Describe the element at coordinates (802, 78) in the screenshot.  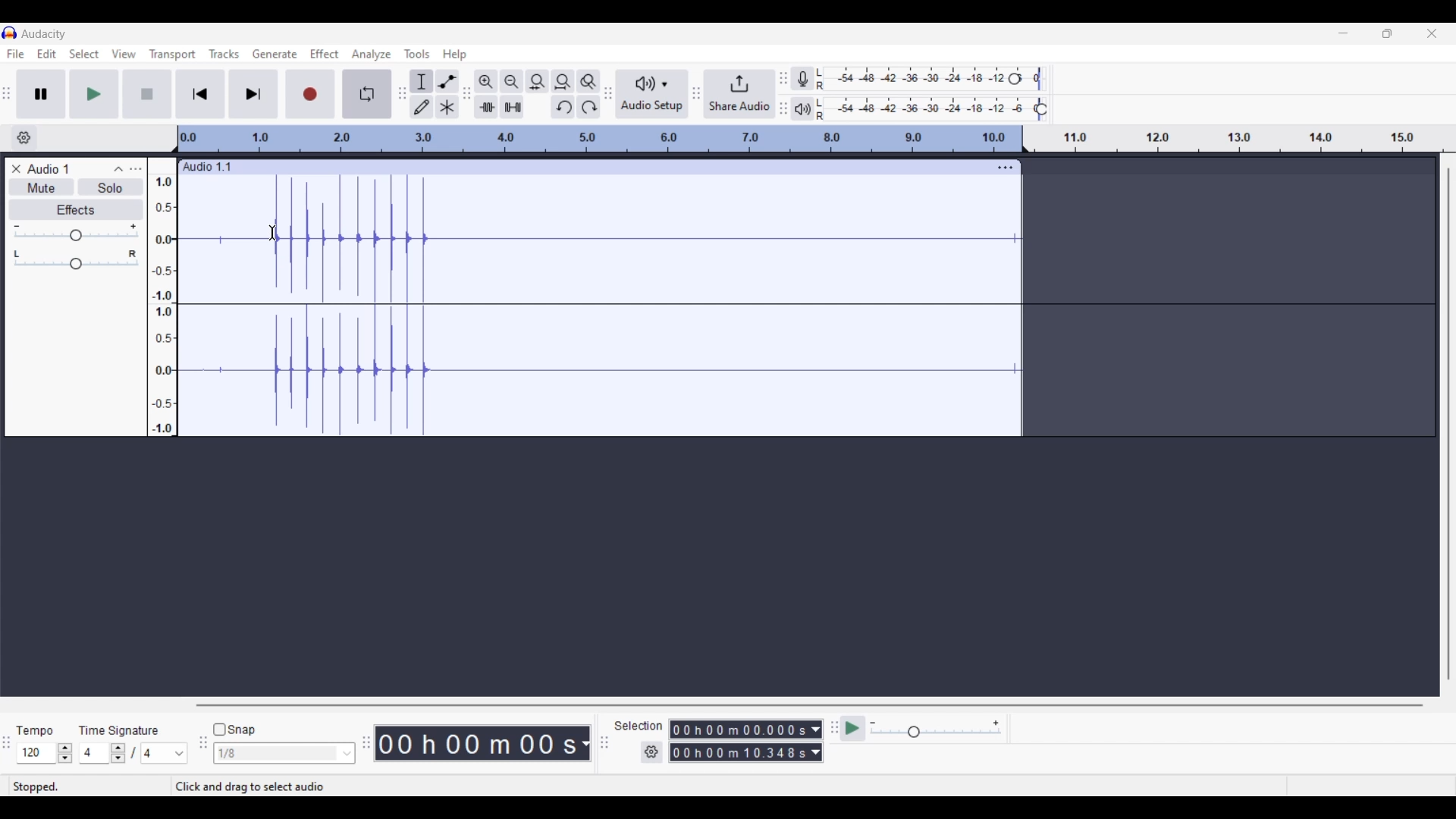
I see `Record meter` at that location.